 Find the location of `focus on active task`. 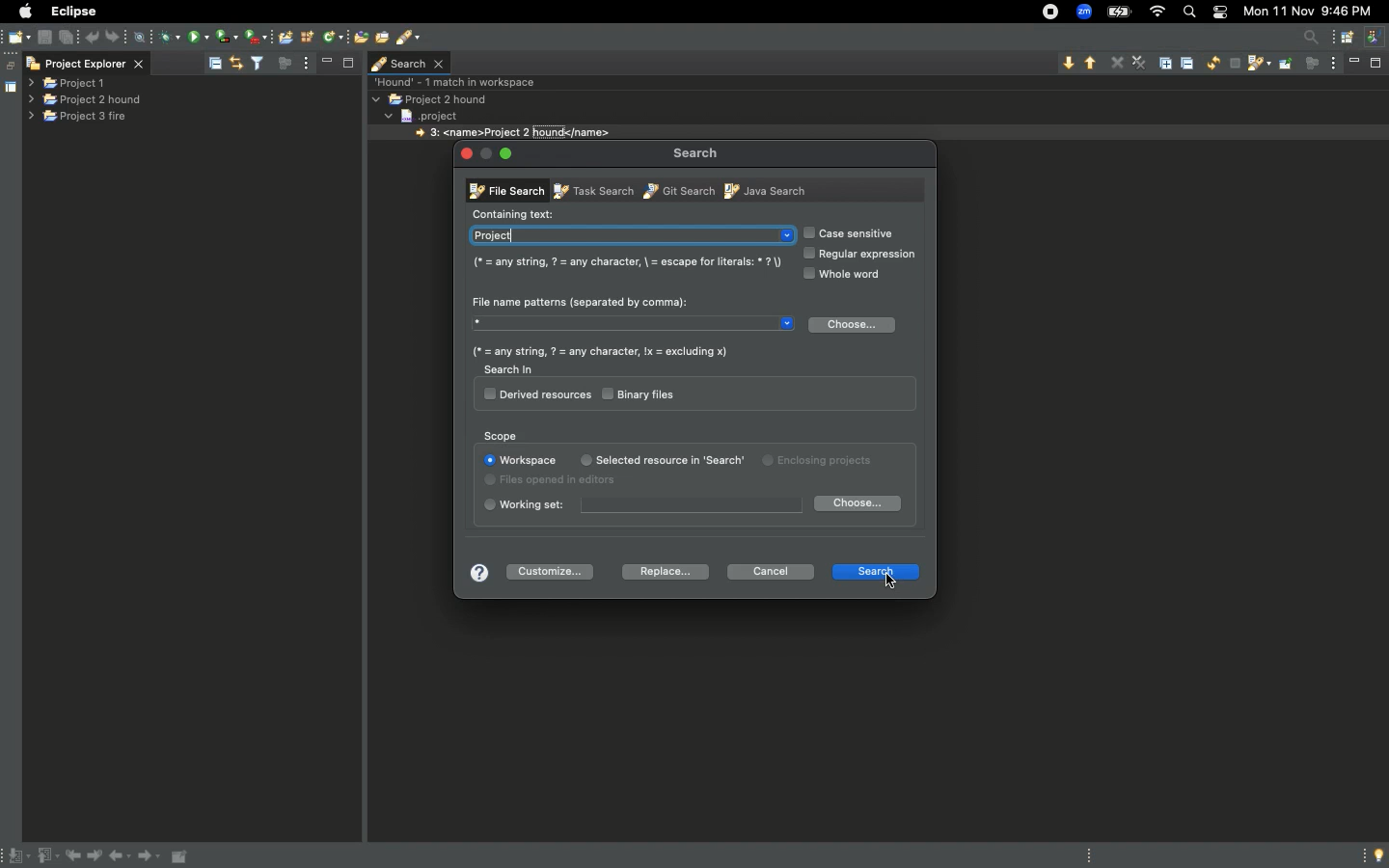

focus on active task is located at coordinates (285, 64).